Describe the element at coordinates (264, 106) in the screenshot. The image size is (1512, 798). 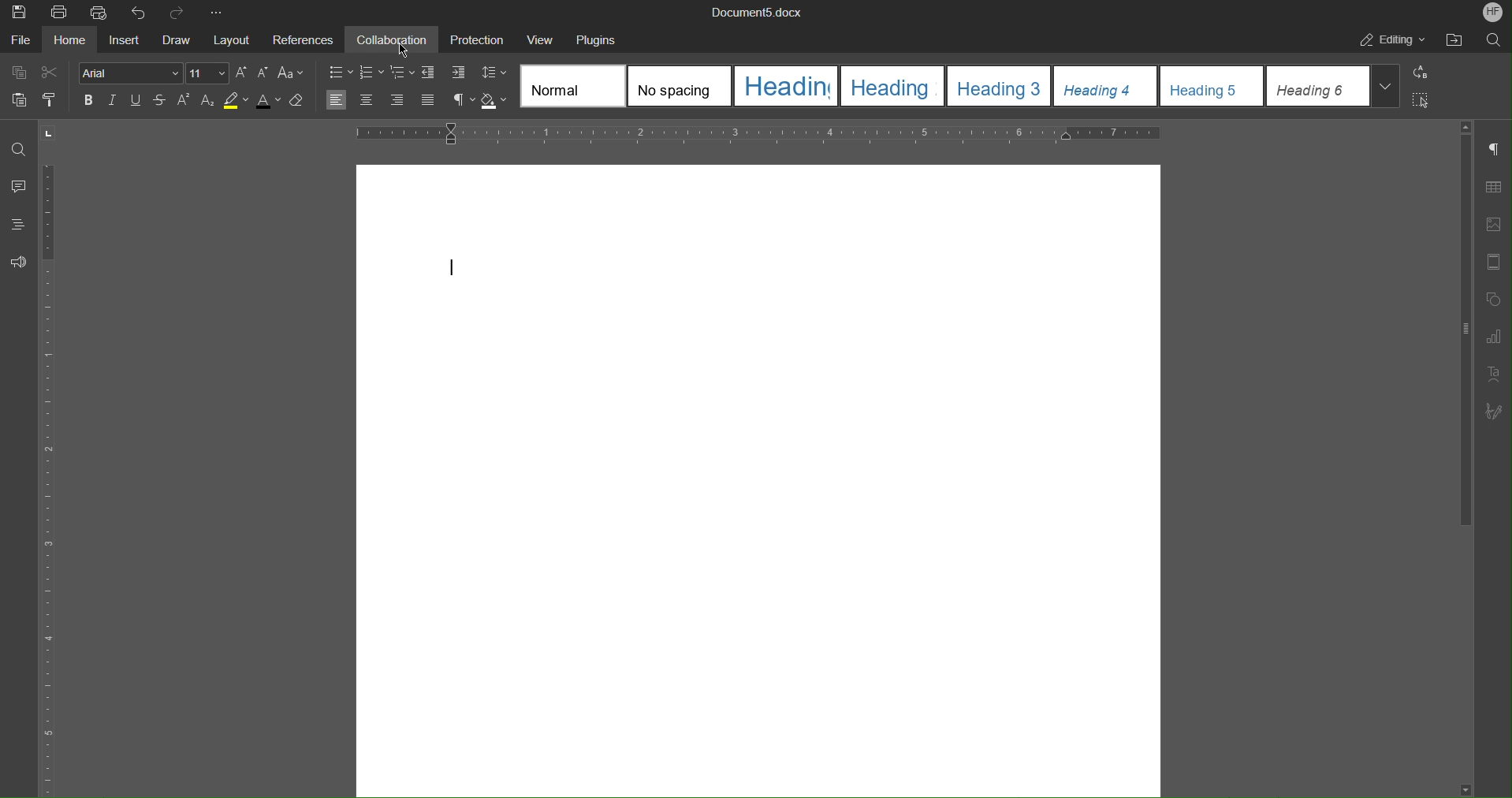
I see `Text Color` at that location.